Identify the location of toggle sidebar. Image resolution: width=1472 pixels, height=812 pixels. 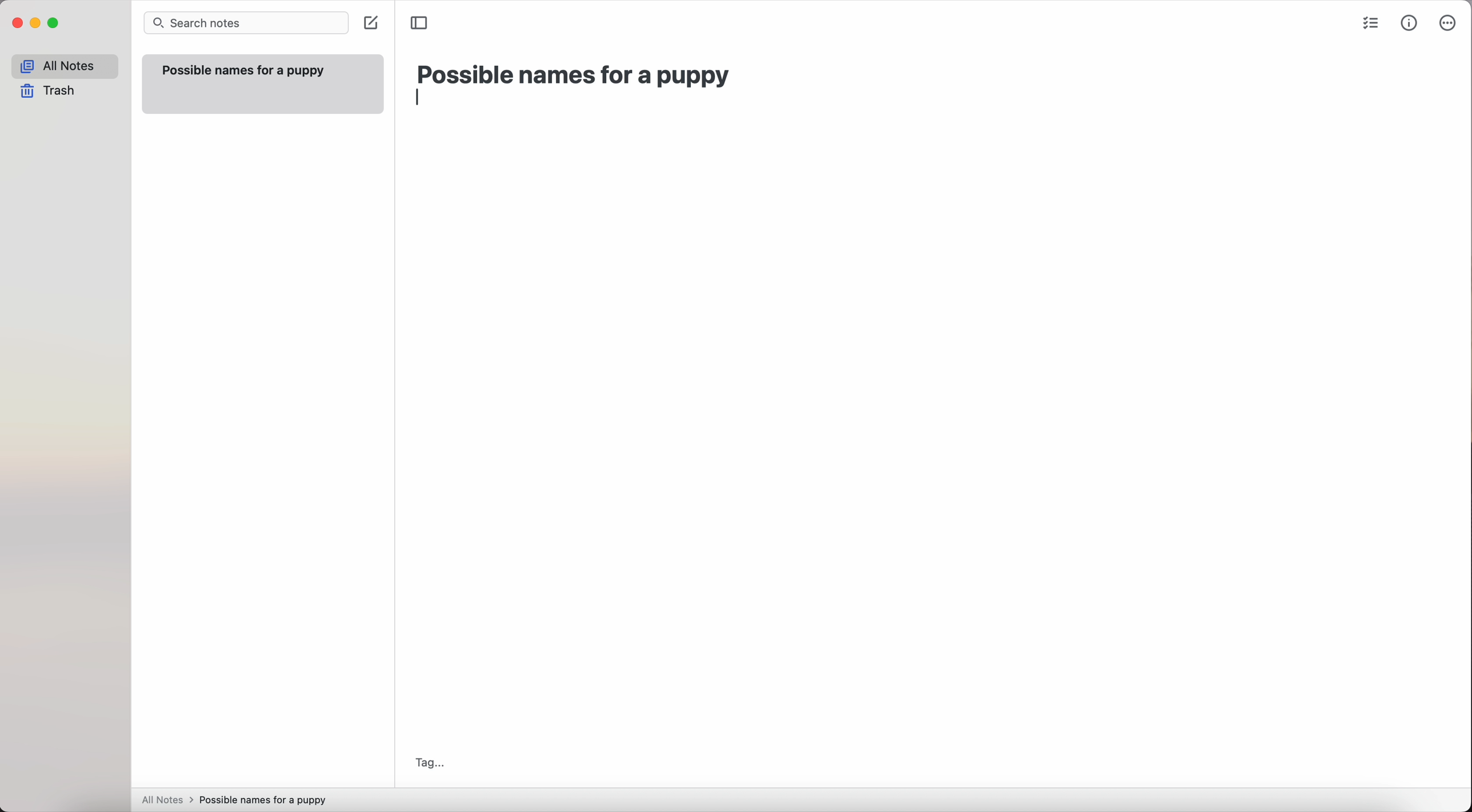
(421, 22).